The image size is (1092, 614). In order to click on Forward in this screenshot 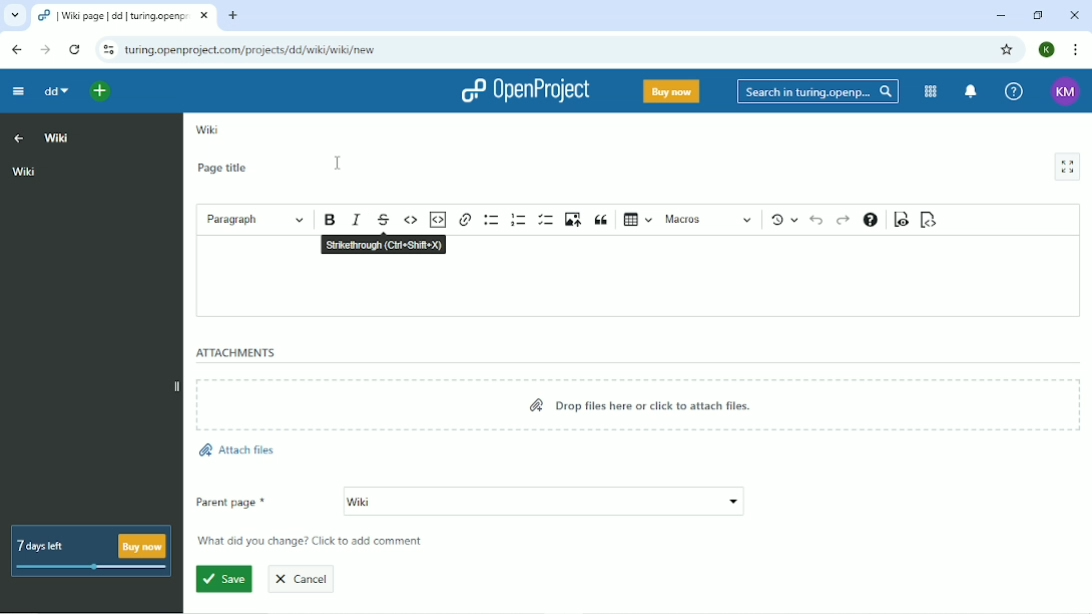, I will do `click(45, 50)`.